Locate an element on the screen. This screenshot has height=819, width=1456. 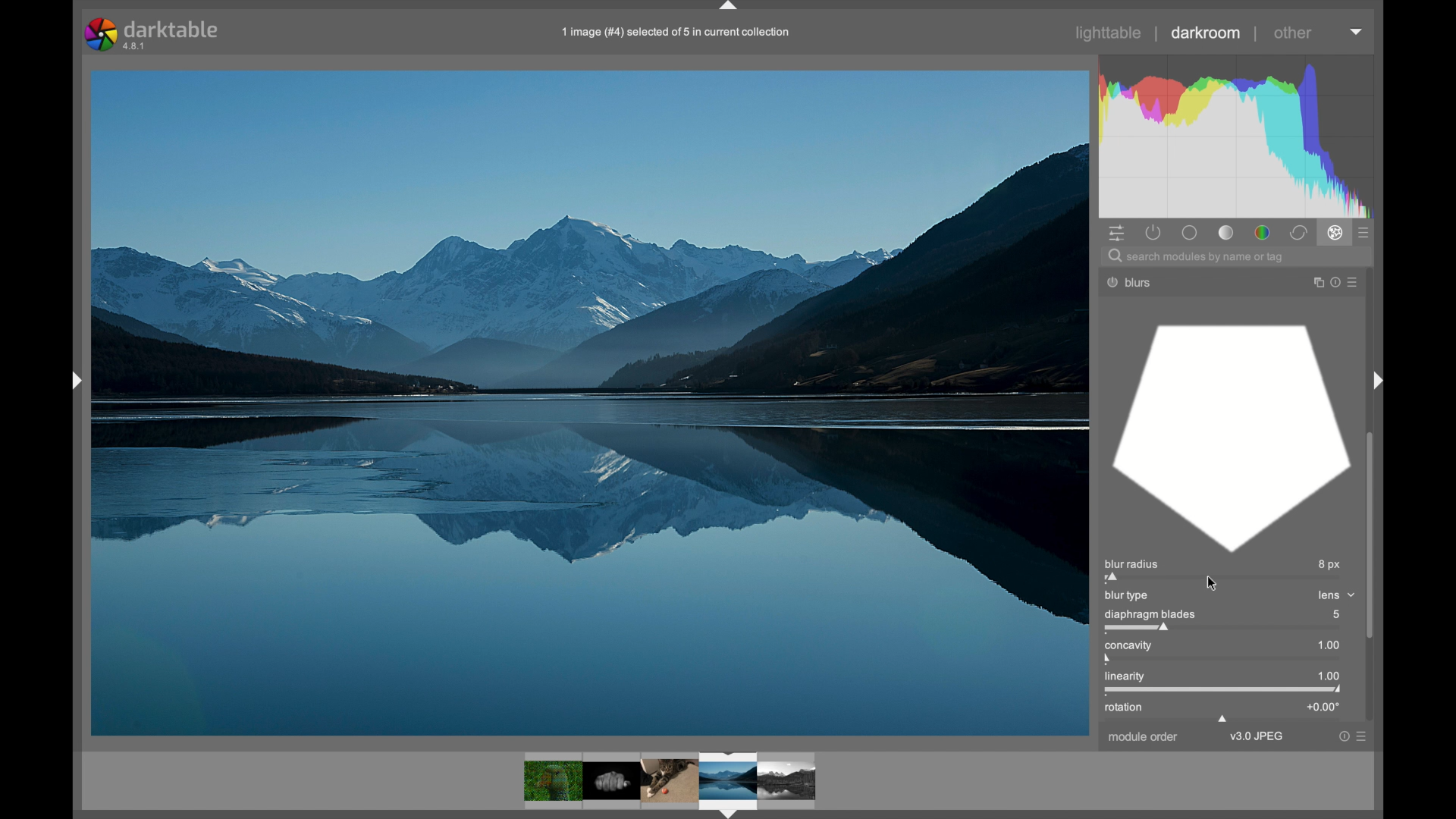
slider is located at coordinates (1225, 629).